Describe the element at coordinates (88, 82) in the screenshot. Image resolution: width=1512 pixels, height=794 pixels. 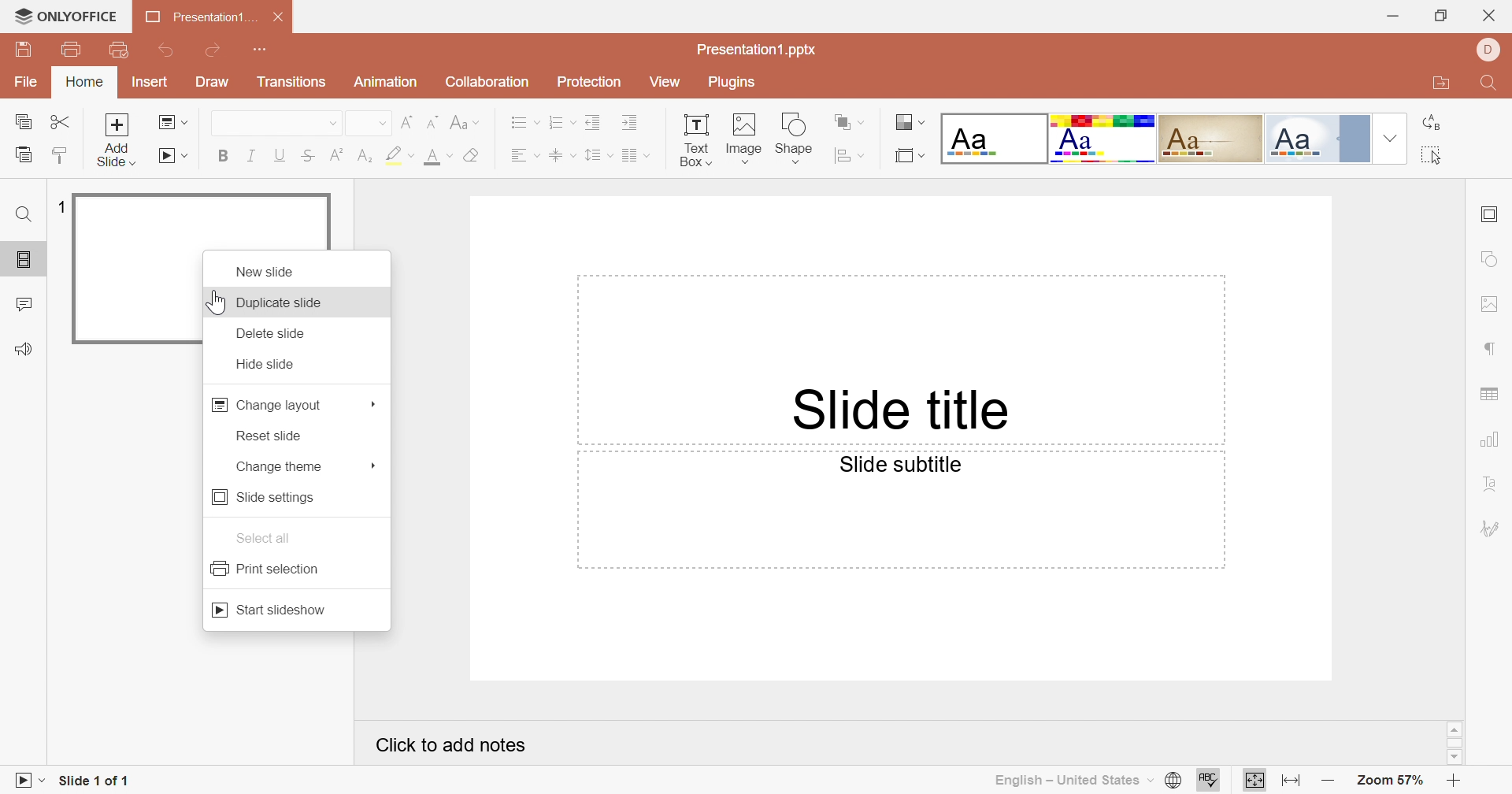
I see `Home` at that location.